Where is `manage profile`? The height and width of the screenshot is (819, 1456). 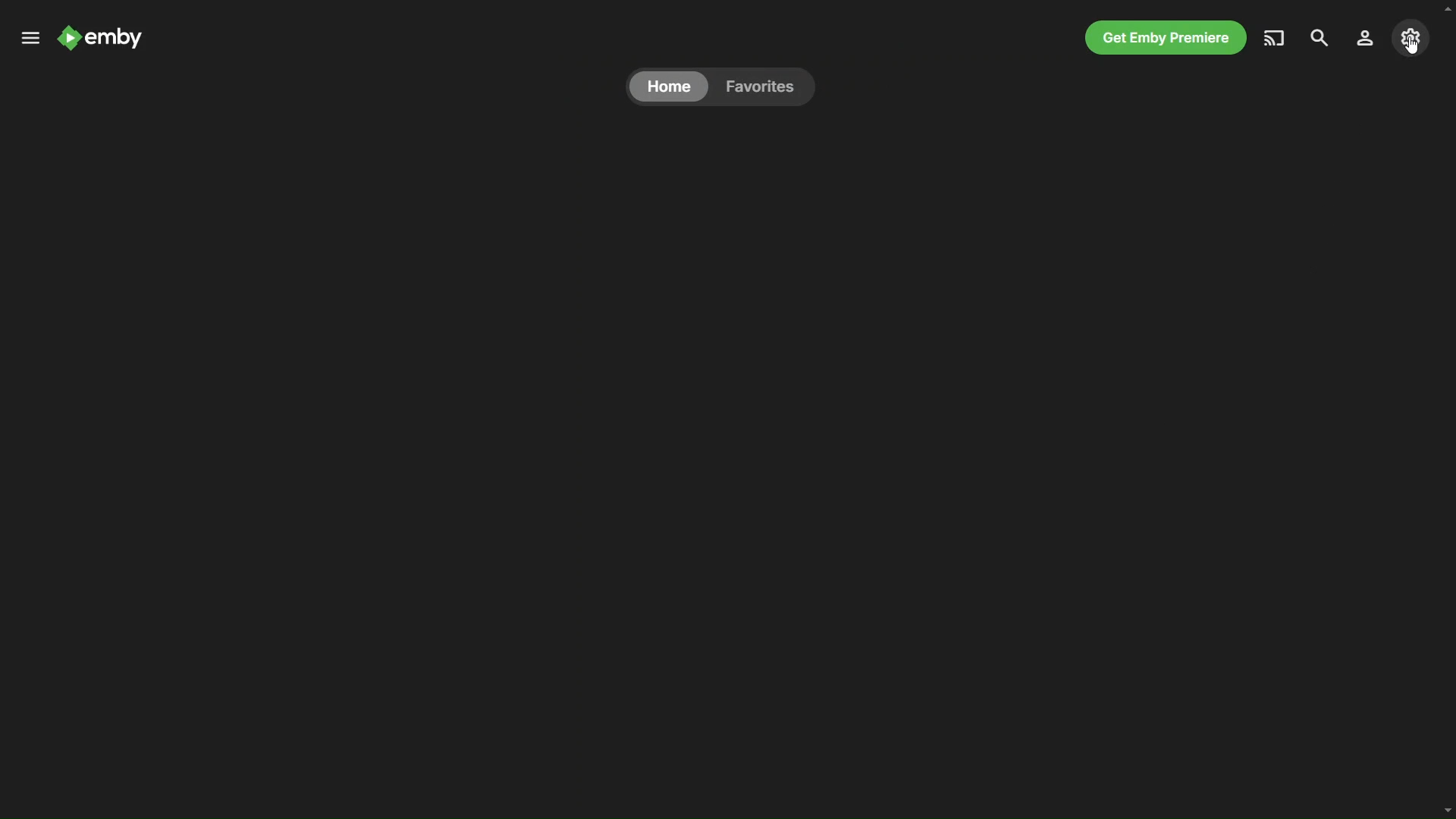
manage profile is located at coordinates (1367, 37).